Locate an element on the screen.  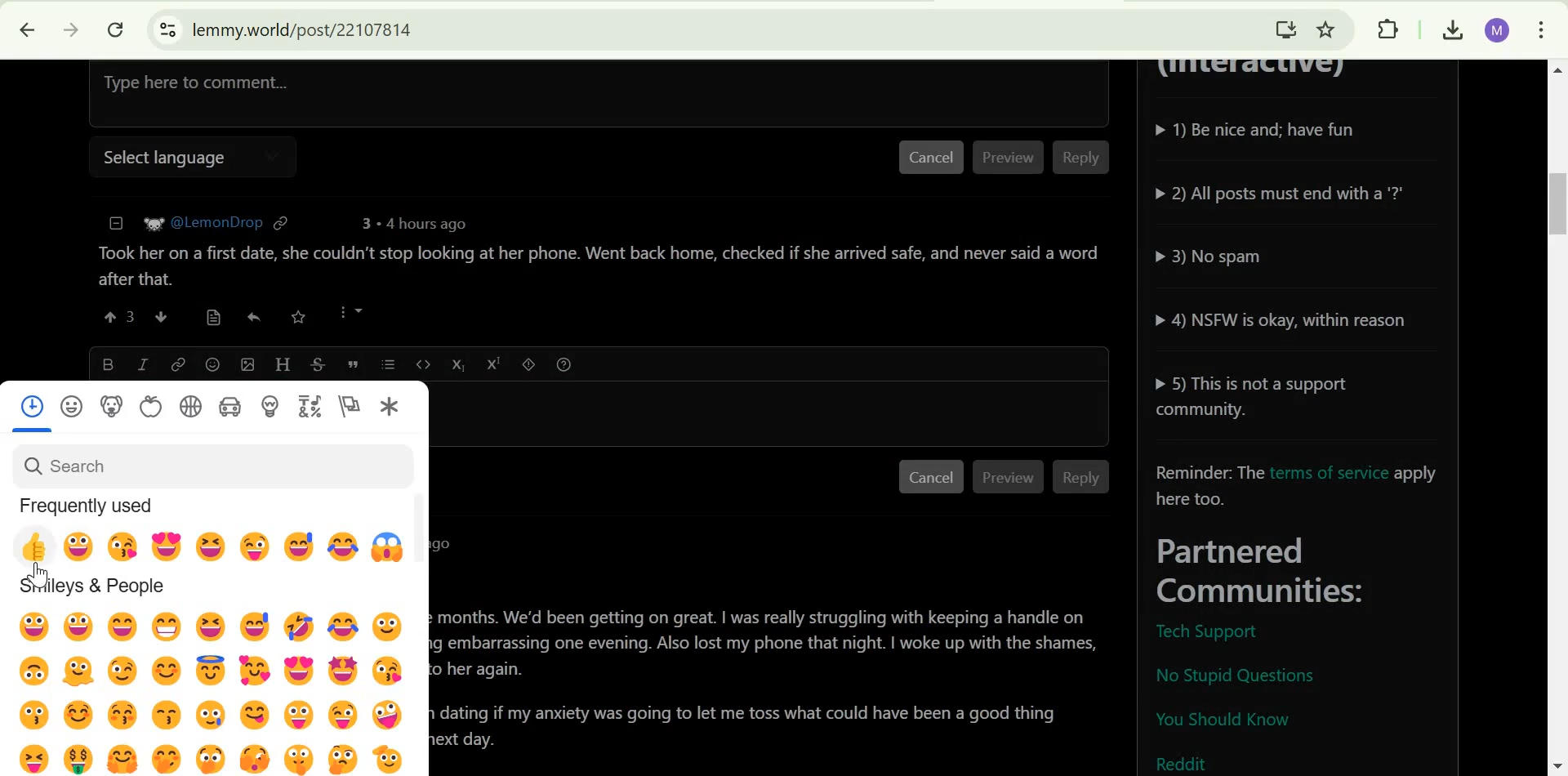
Emojis is located at coordinates (212, 543).